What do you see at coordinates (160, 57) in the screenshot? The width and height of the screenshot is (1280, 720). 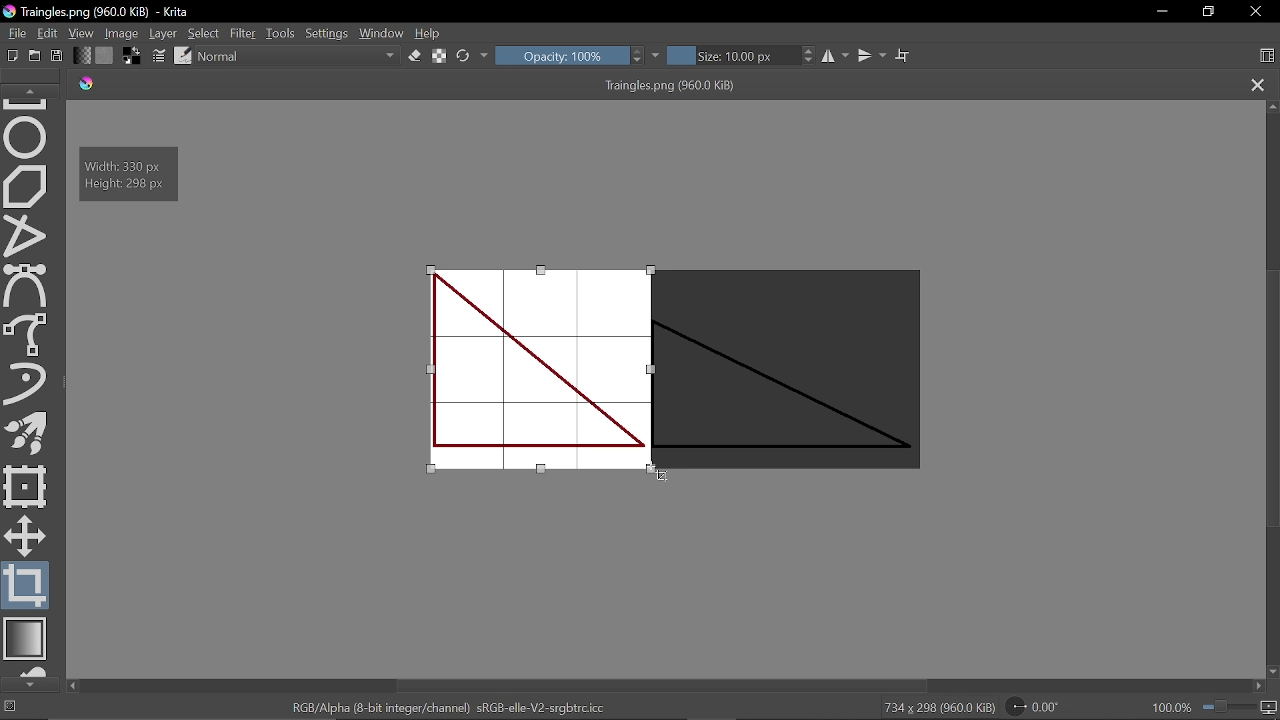 I see `Edit brush settings` at bounding box center [160, 57].